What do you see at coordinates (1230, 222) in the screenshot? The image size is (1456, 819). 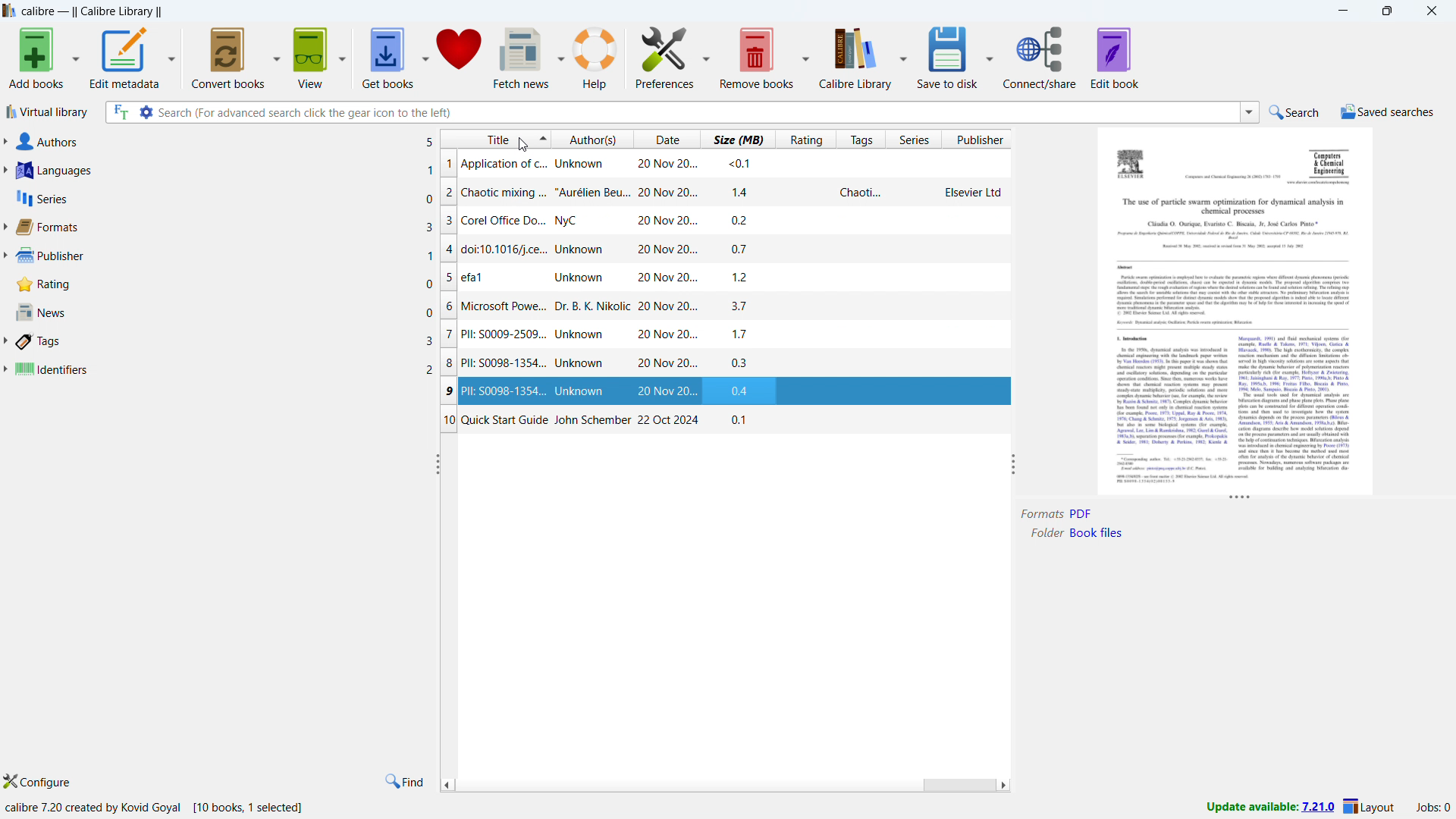 I see `` at bounding box center [1230, 222].